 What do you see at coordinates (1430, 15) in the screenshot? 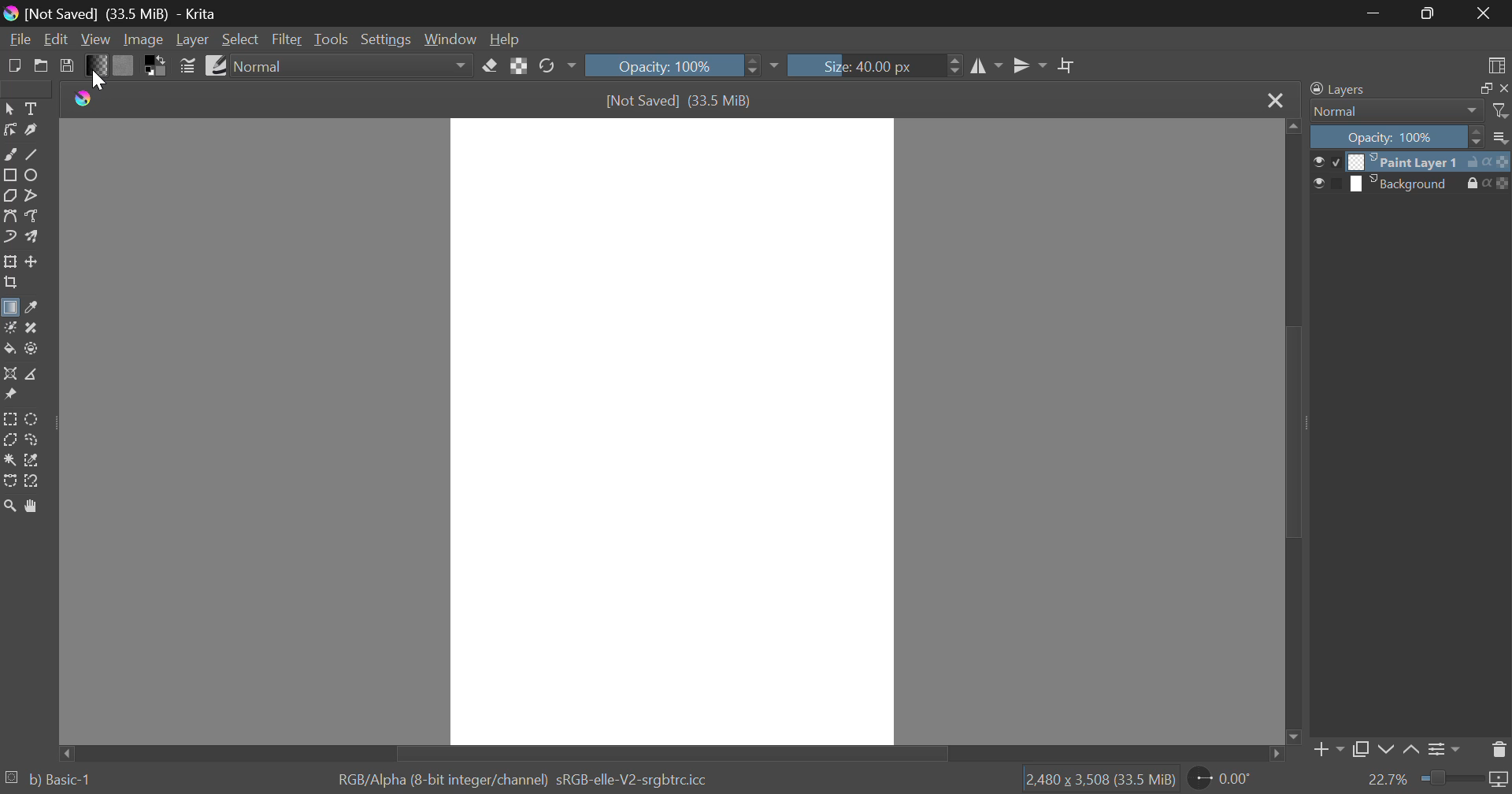
I see `Minimize` at bounding box center [1430, 15].